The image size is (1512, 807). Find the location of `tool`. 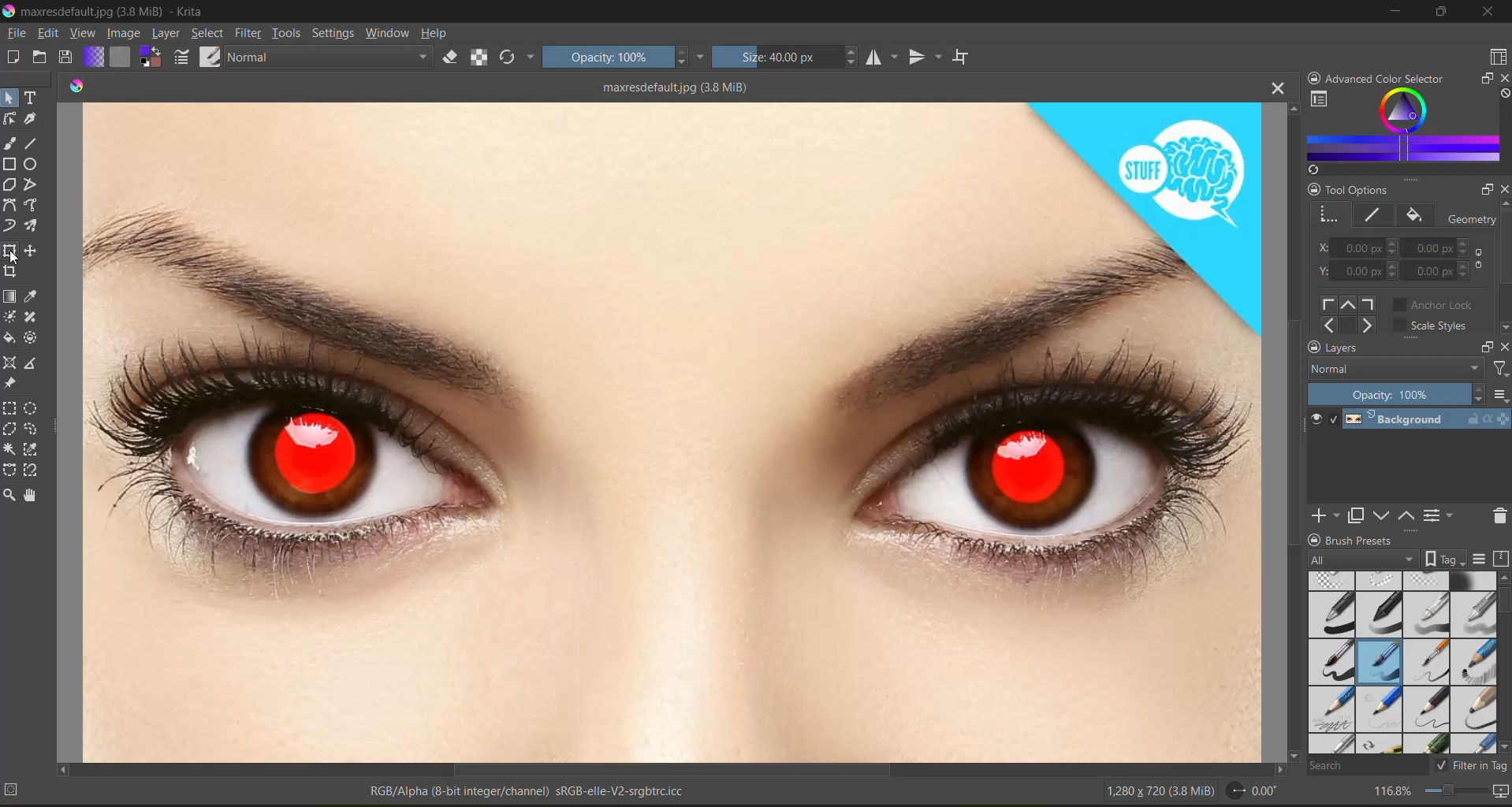

tool is located at coordinates (35, 428).